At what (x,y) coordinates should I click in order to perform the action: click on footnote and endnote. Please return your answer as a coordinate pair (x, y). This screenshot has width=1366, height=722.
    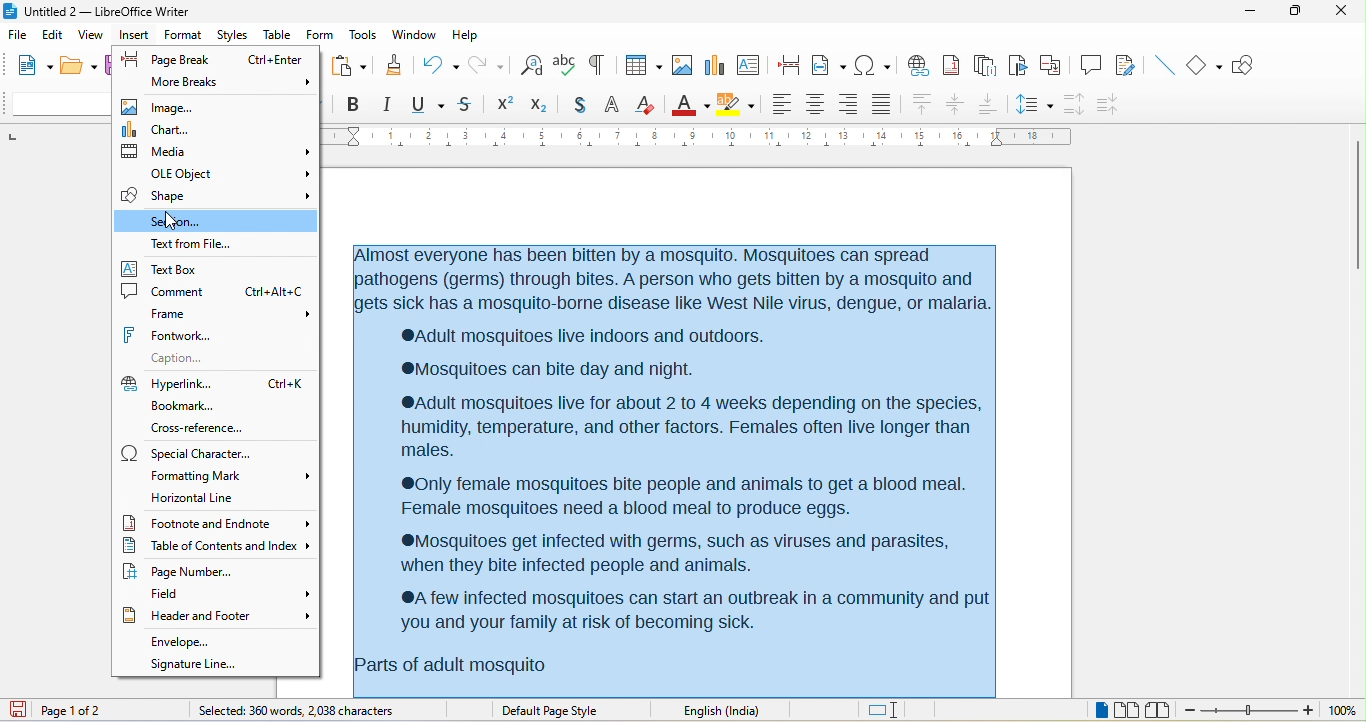
    Looking at the image, I should click on (219, 522).